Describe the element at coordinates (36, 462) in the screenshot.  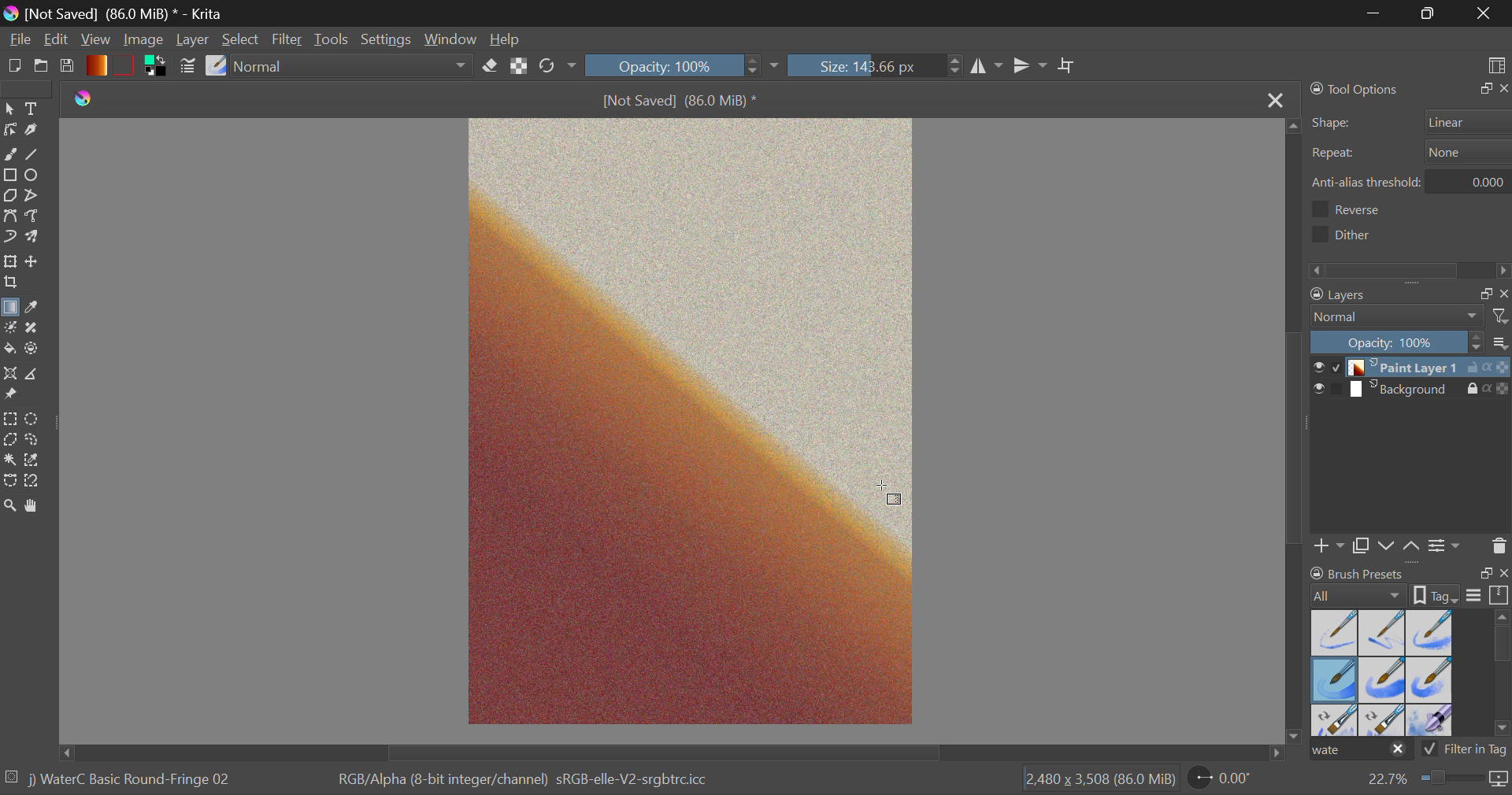
I see `Same Color Selection` at that location.